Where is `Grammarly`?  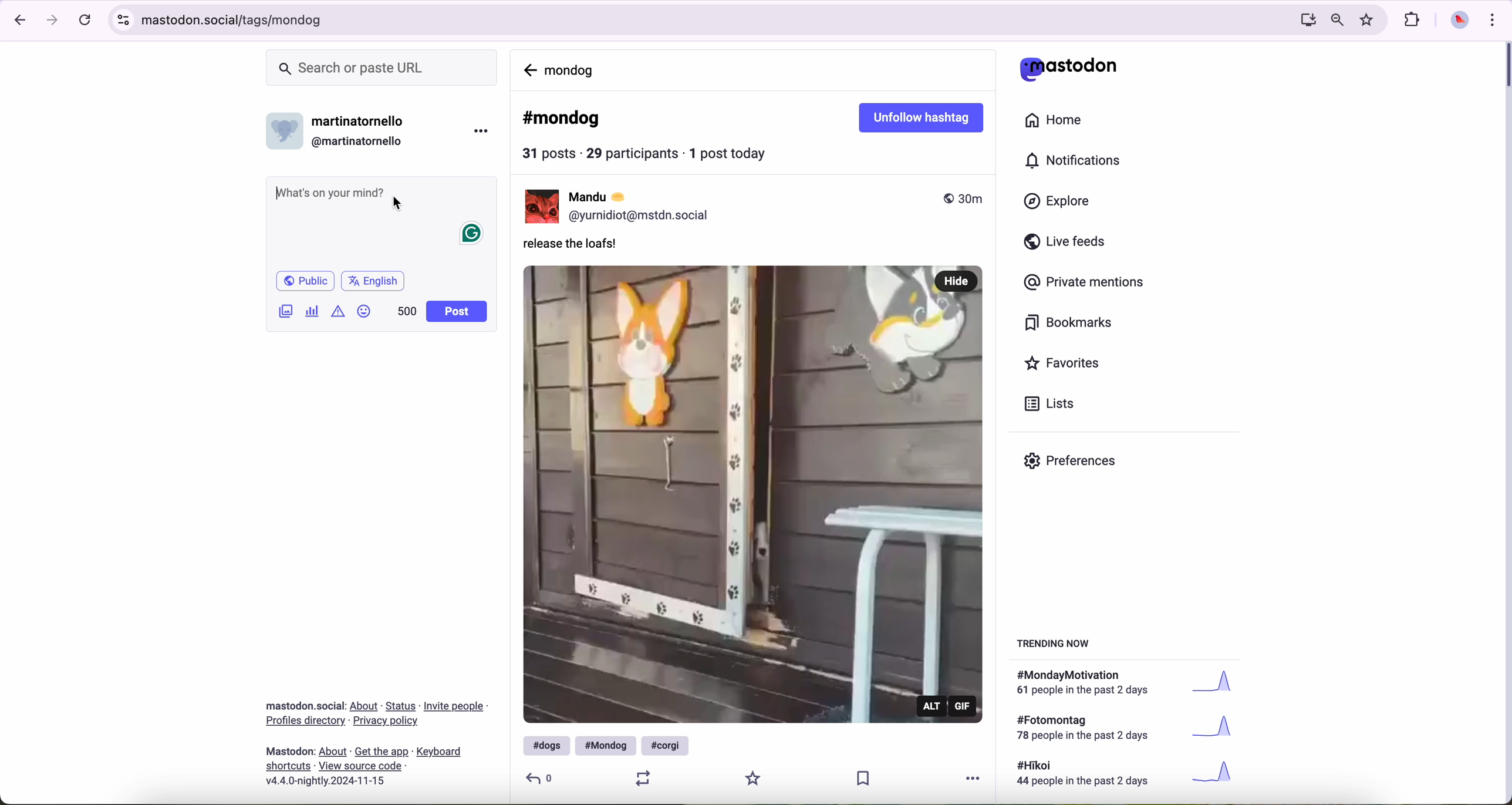
Grammarly is located at coordinates (471, 234).